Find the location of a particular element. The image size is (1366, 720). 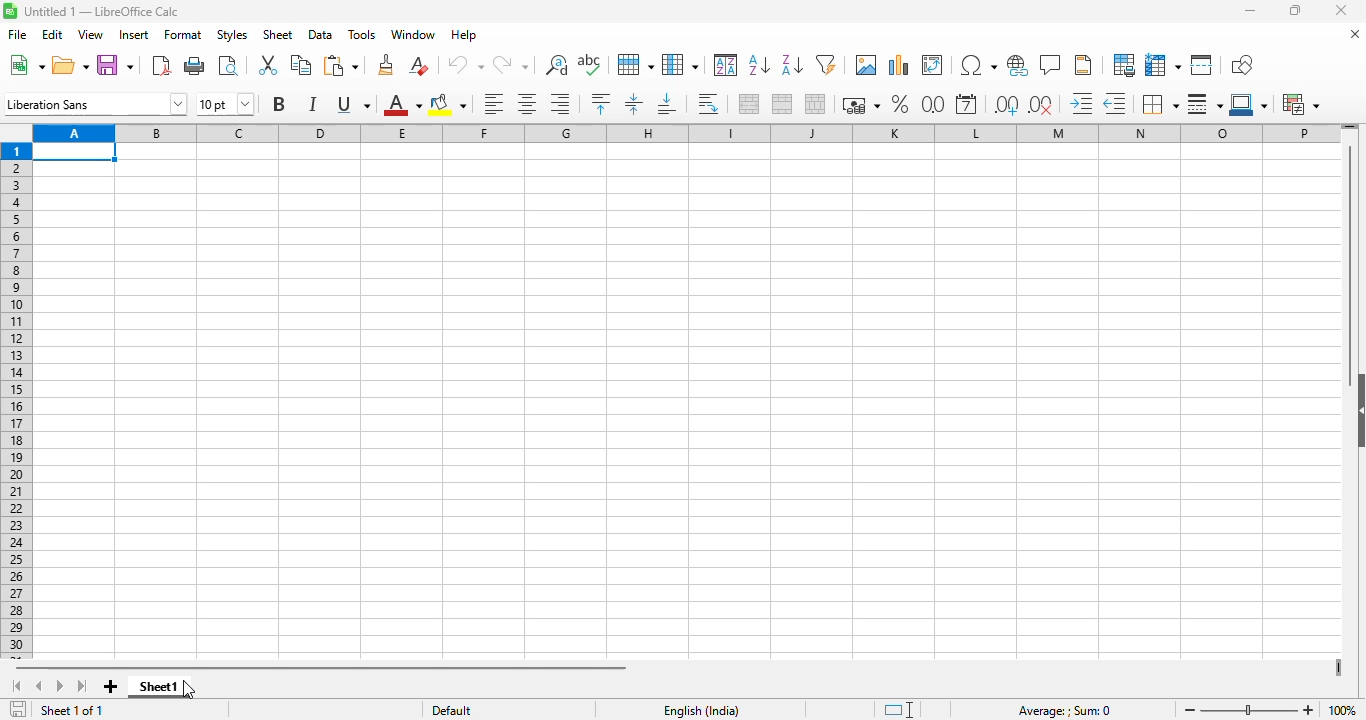

font name is located at coordinates (95, 103).